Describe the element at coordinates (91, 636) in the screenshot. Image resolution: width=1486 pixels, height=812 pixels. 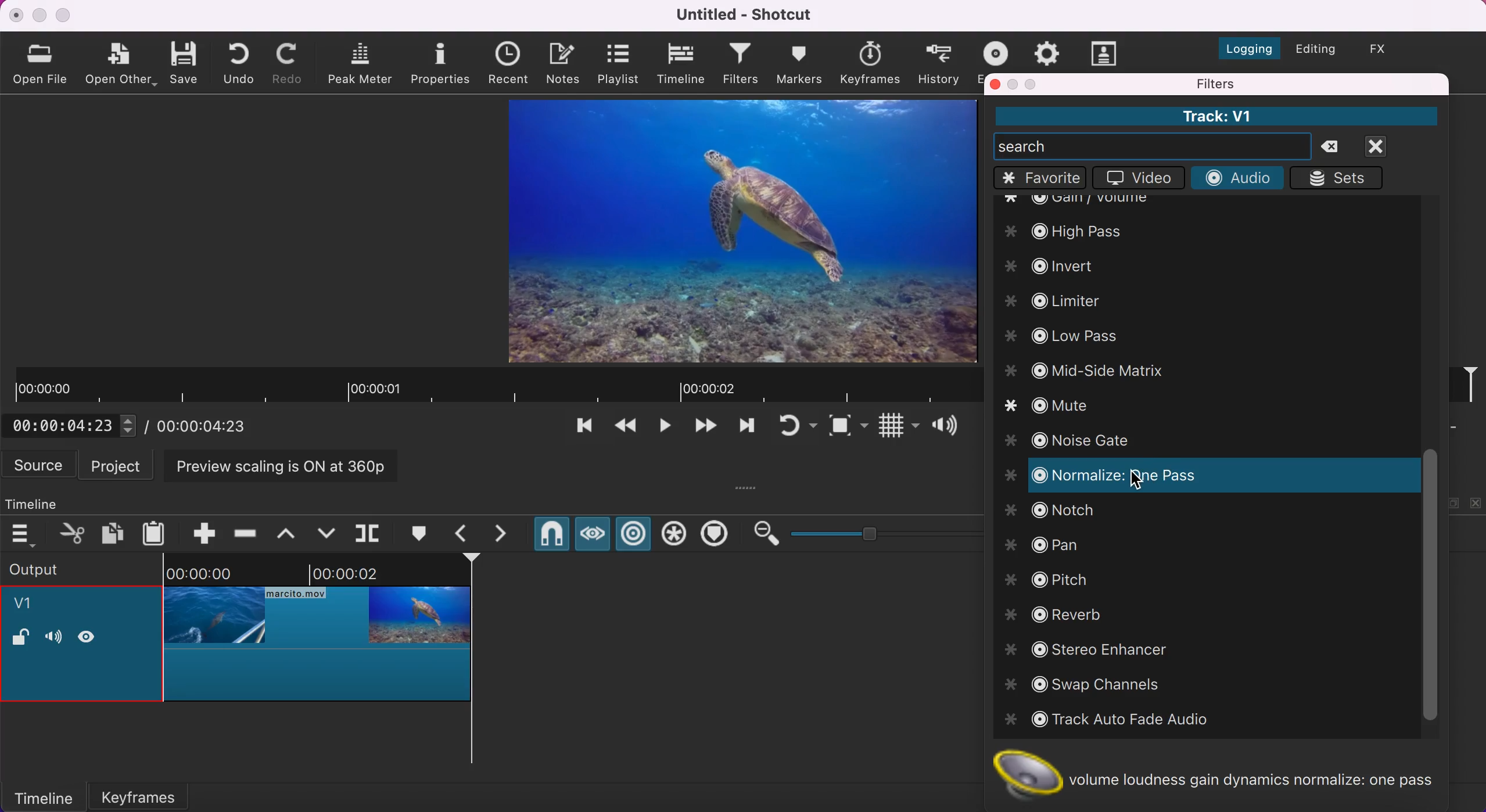
I see `hide` at that location.